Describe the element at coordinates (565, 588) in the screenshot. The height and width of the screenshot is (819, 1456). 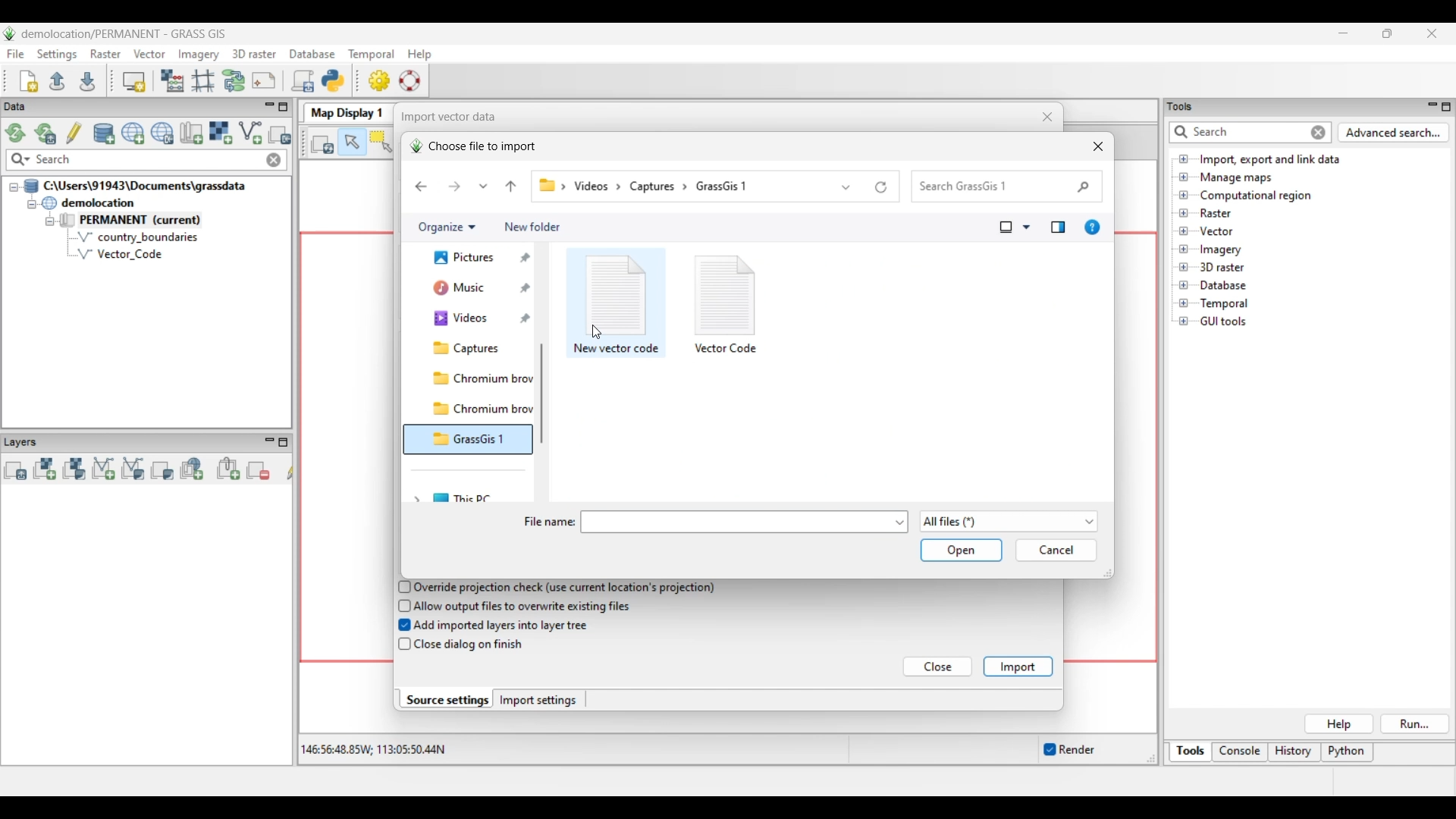
I see `Override projection check` at that location.